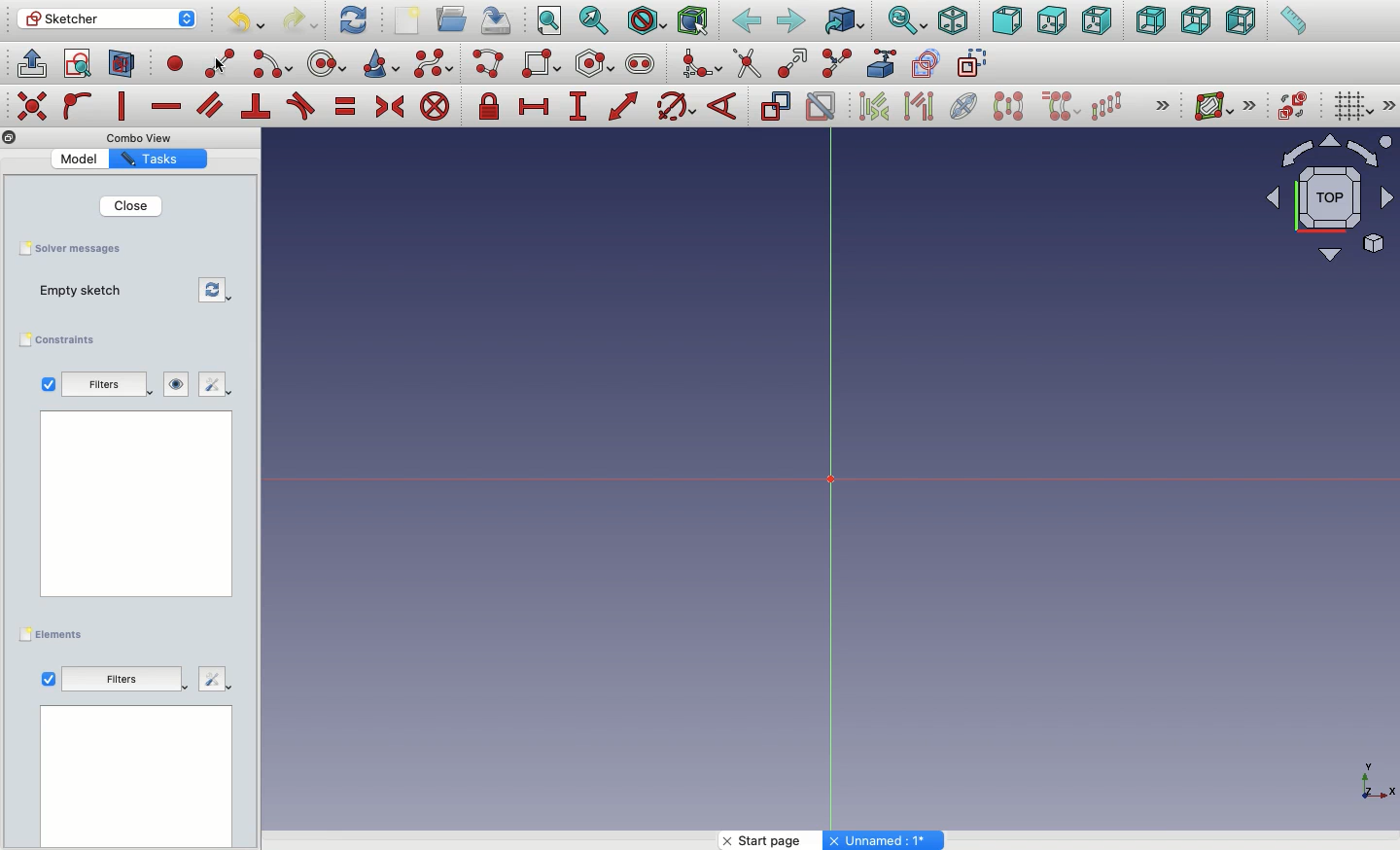 This screenshot has width=1400, height=850. I want to click on Filters, so click(109, 385).